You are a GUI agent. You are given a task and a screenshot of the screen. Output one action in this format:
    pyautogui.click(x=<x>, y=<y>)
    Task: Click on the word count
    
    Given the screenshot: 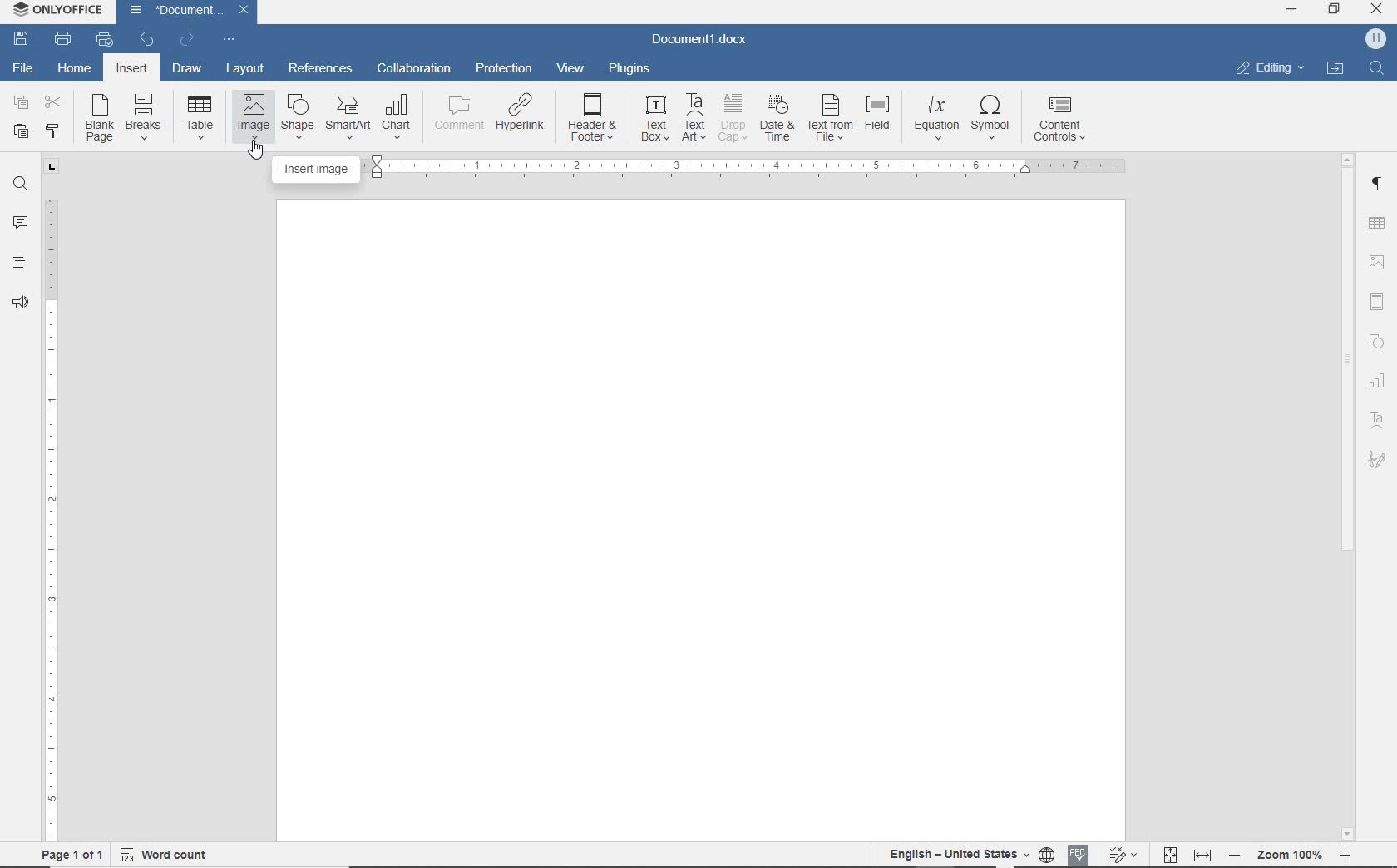 What is the action you would take?
    pyautogui.click(x=169, y=856)
    